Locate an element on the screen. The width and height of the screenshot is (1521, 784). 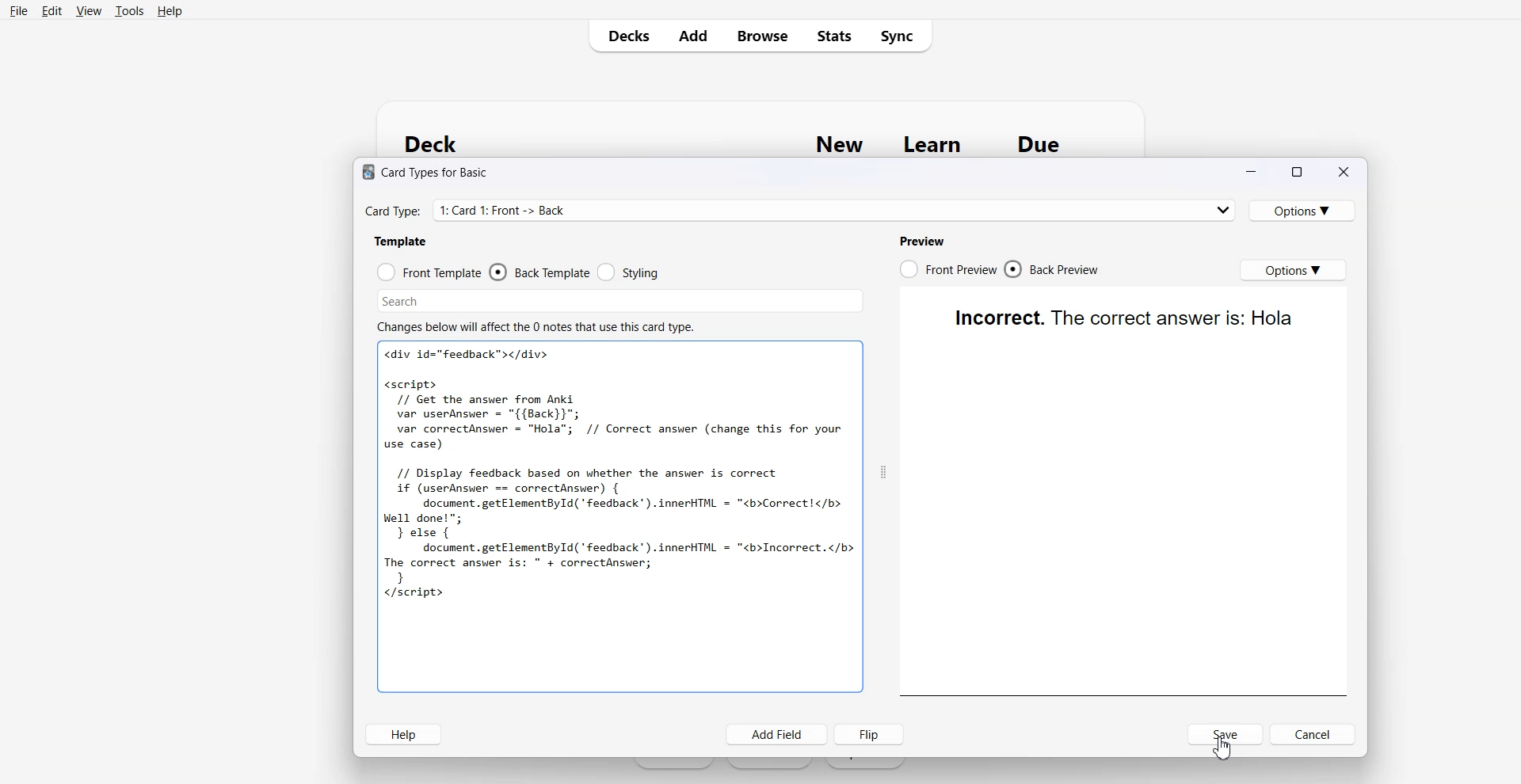
Template is located at coordinates (400, 243).